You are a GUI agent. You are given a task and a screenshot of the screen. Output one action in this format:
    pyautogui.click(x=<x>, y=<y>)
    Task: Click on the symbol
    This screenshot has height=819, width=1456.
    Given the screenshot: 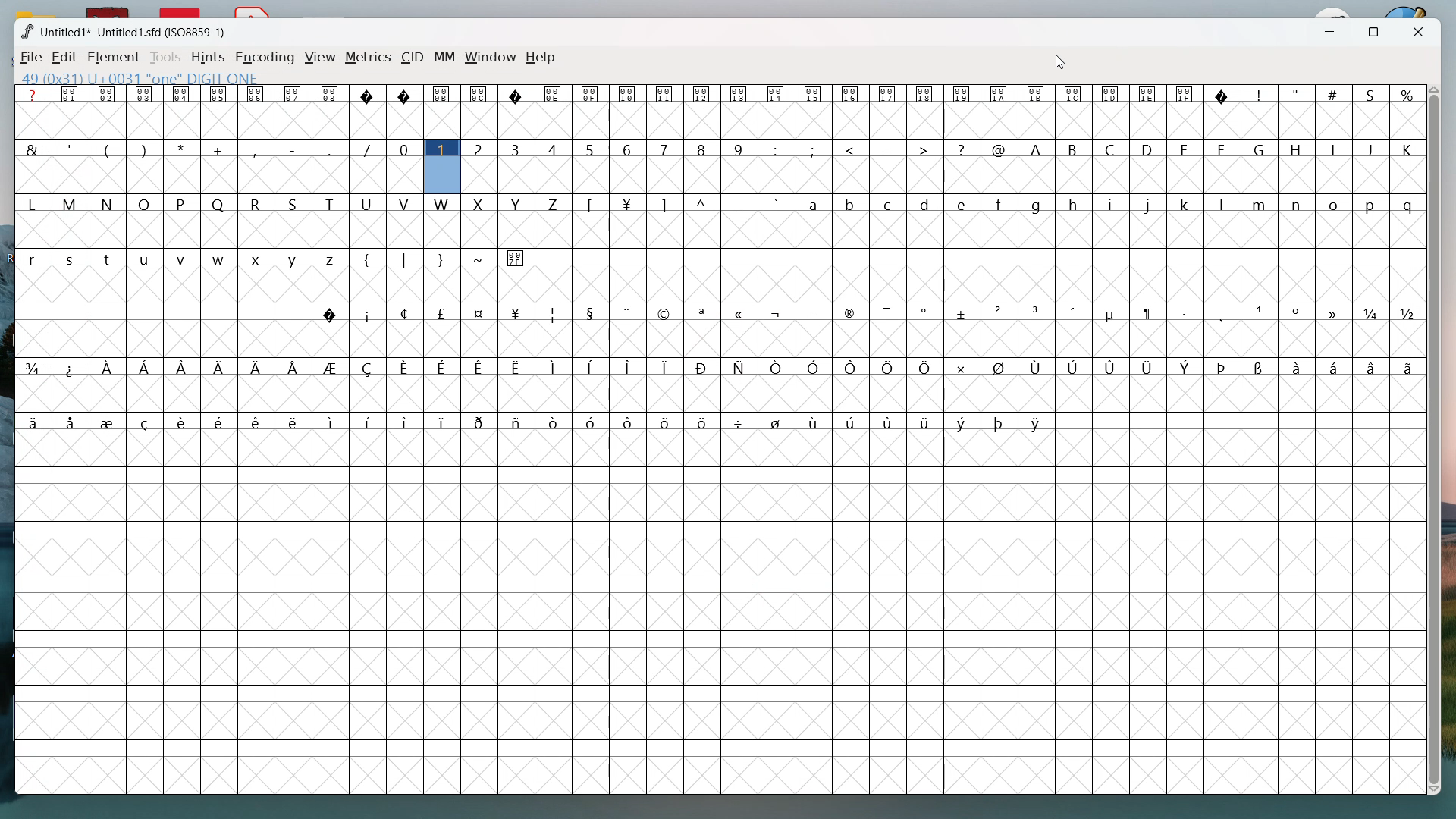 What is the action you would take?
    pyautogui.click(x=296, y=366)
    